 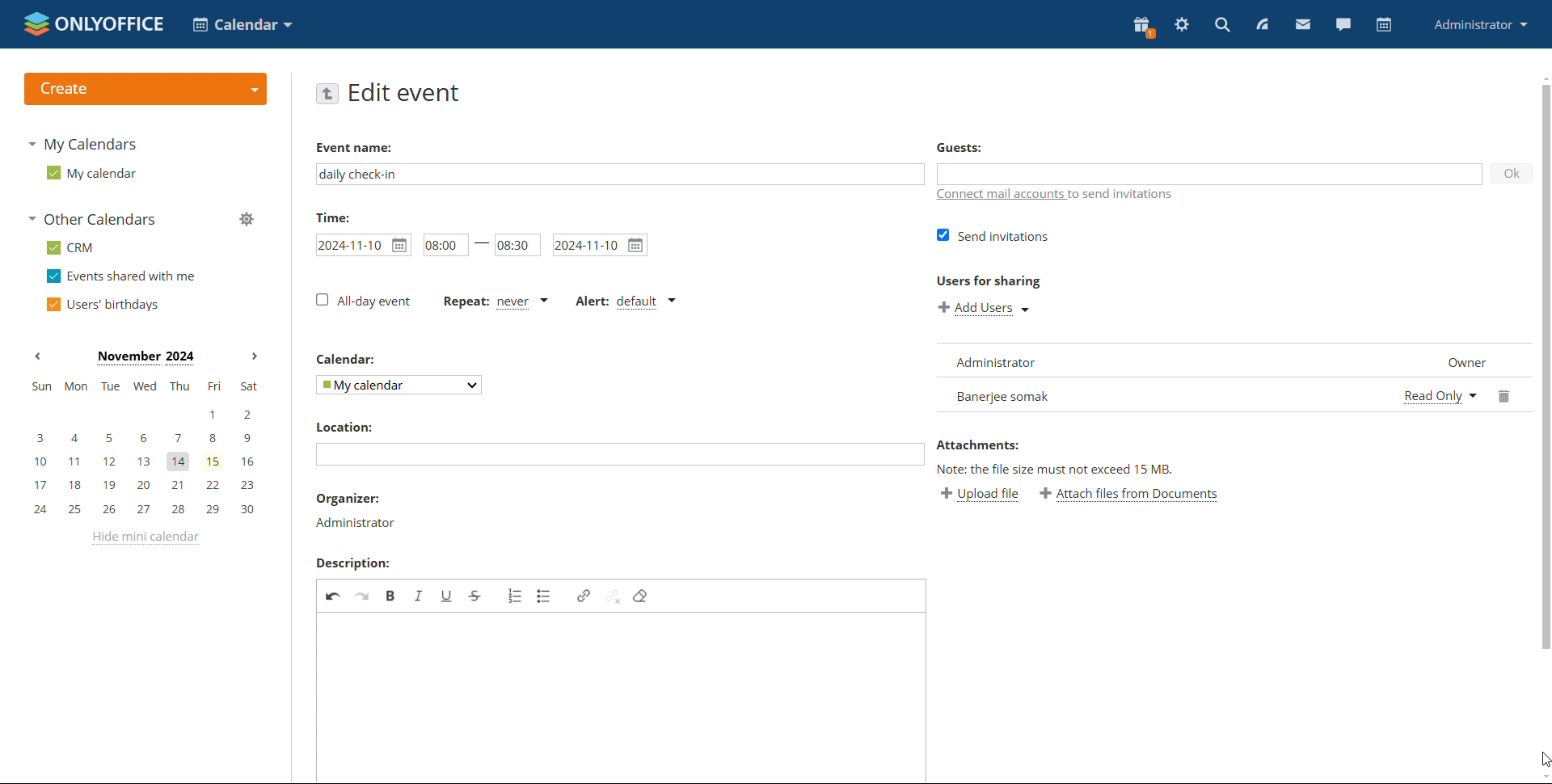 What do you see at coordinates (1542, 76) in the screenshot?
I see `scroll up` at bounding box center [1542, 76].